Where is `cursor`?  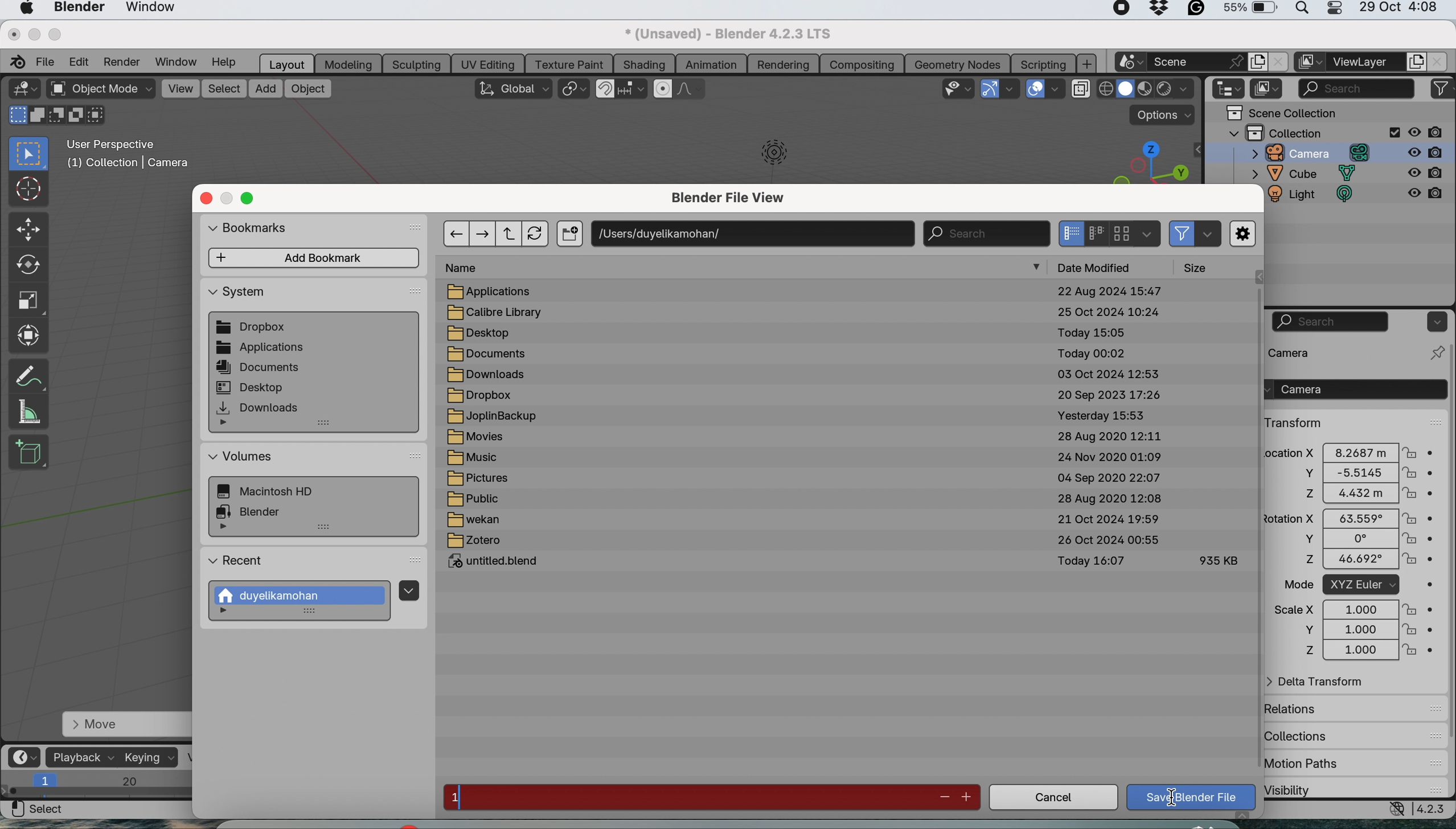
cursor is located at coordinates (1172, 799).